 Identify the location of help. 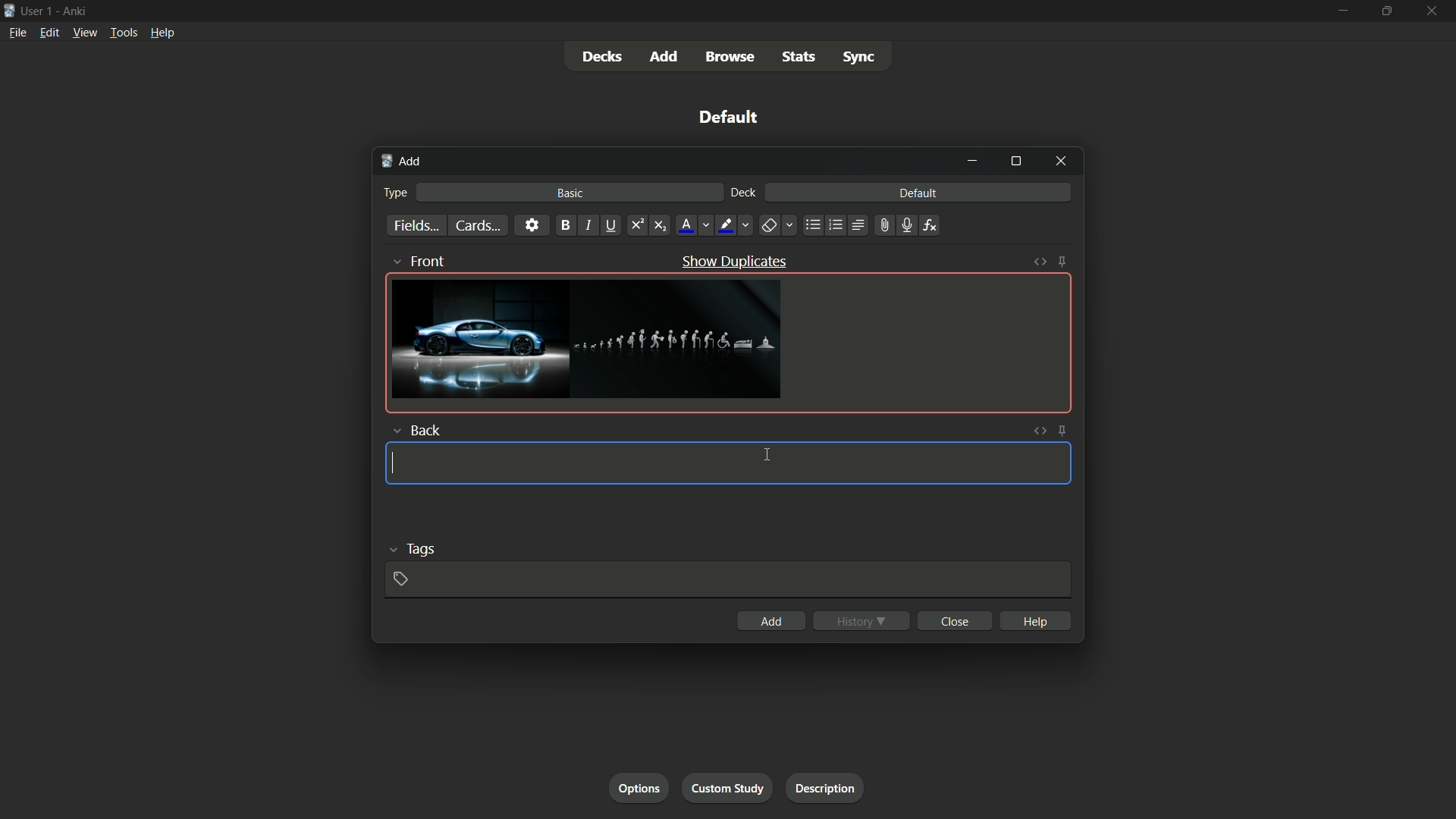
(1035, 620).